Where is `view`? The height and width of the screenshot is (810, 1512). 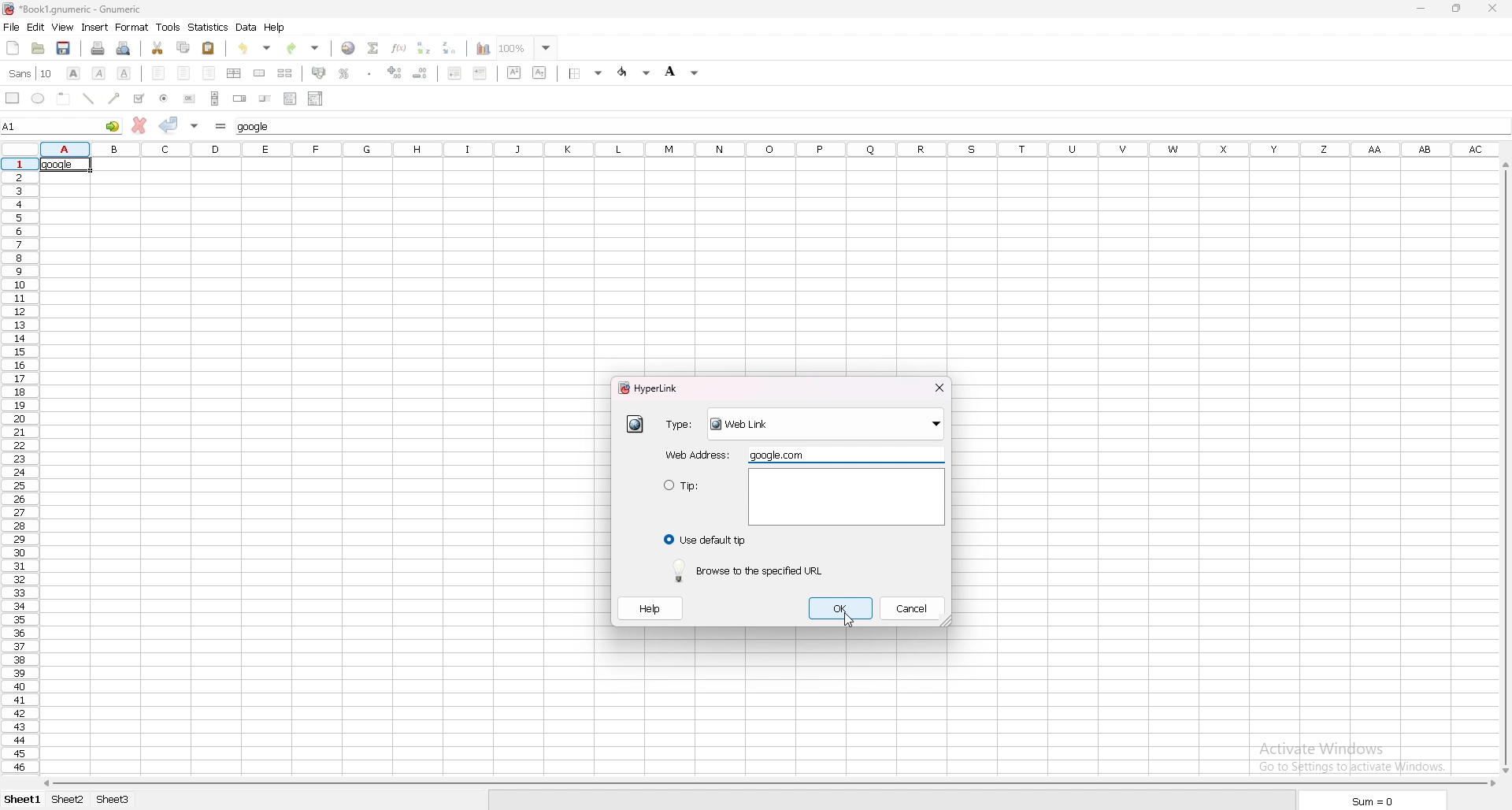
view is located at coordinates (63, 27).